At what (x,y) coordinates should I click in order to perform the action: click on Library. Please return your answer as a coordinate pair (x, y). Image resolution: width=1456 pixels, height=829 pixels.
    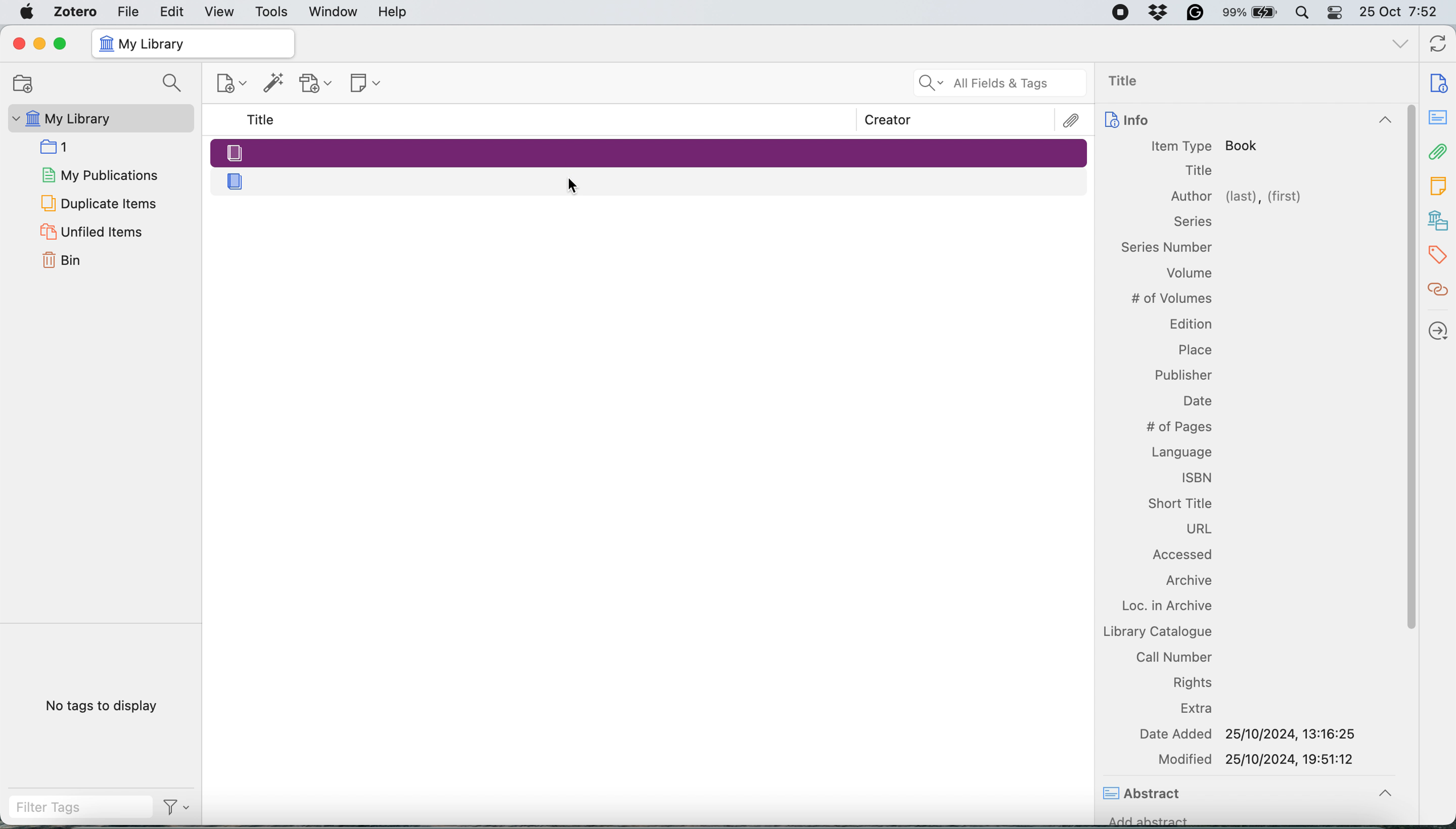
    Looking at the image, I should click on (1439, 221).